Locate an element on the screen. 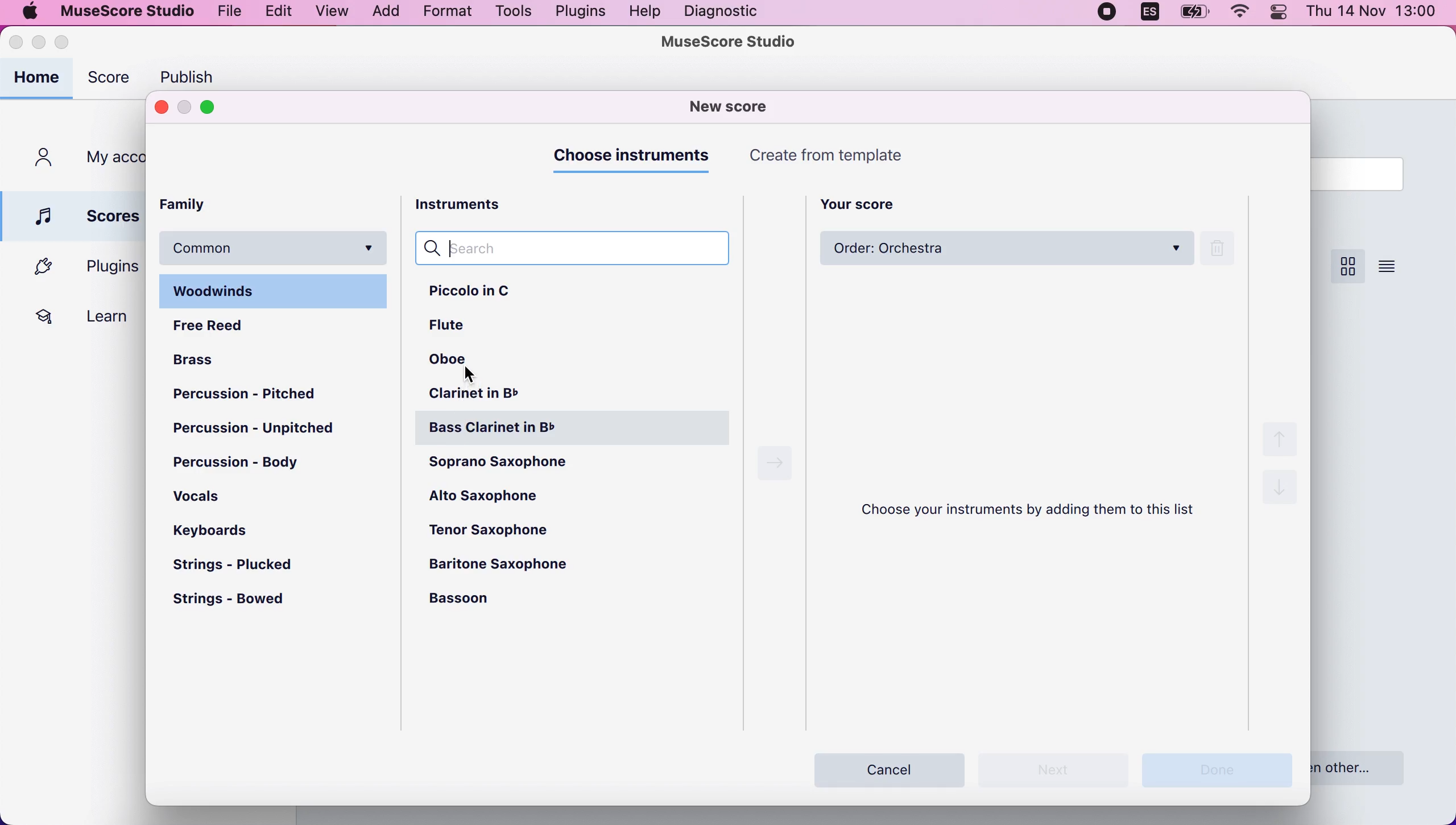 The width and height of the screenshot is (1456, 825). bassoon is located at coordinates (483, 599).